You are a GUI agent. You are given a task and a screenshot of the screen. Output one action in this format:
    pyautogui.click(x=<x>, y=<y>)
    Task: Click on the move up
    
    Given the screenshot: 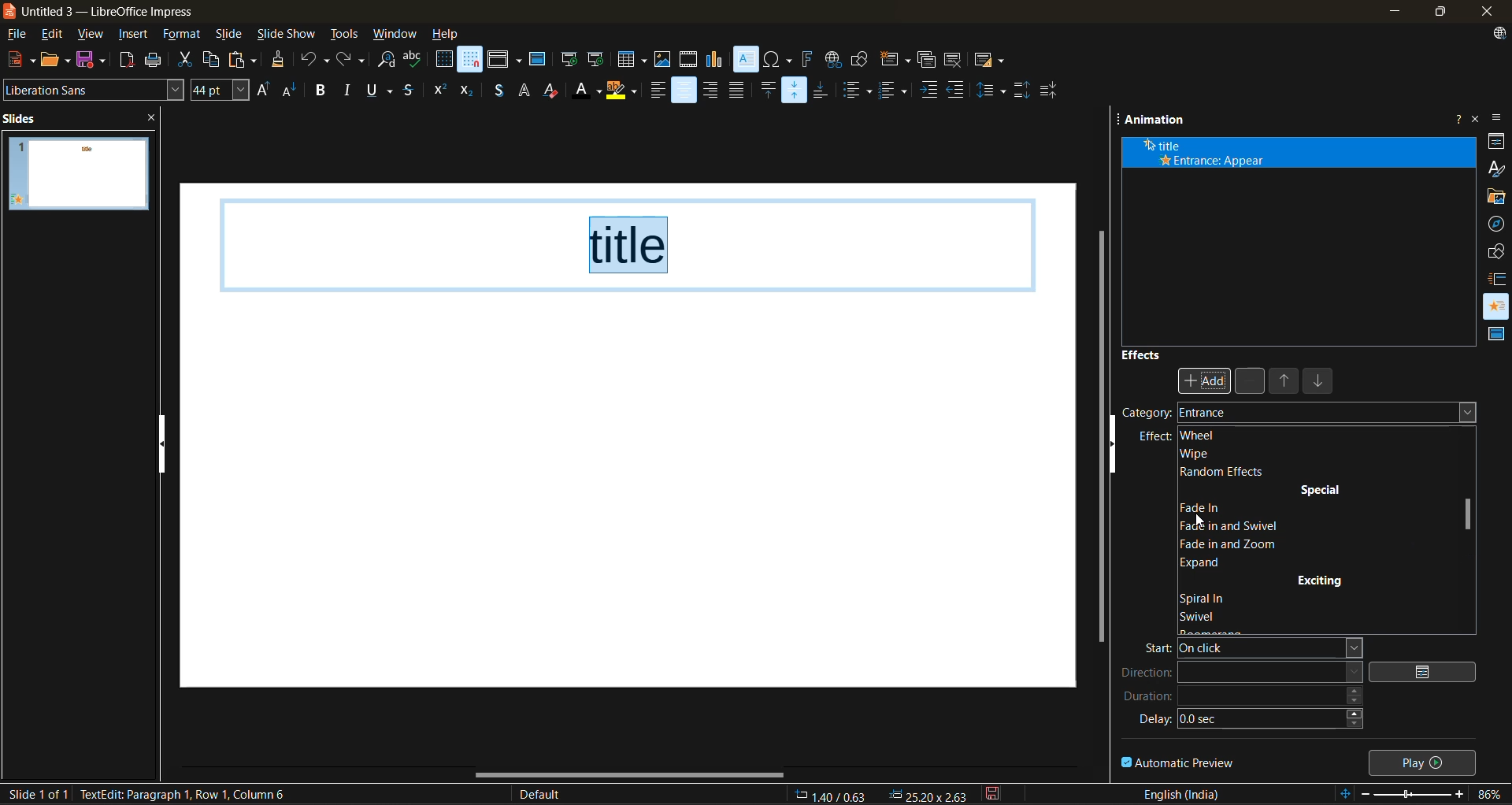 What is the action you would take?
    pyautogui.click(x=1286, y=384)
    